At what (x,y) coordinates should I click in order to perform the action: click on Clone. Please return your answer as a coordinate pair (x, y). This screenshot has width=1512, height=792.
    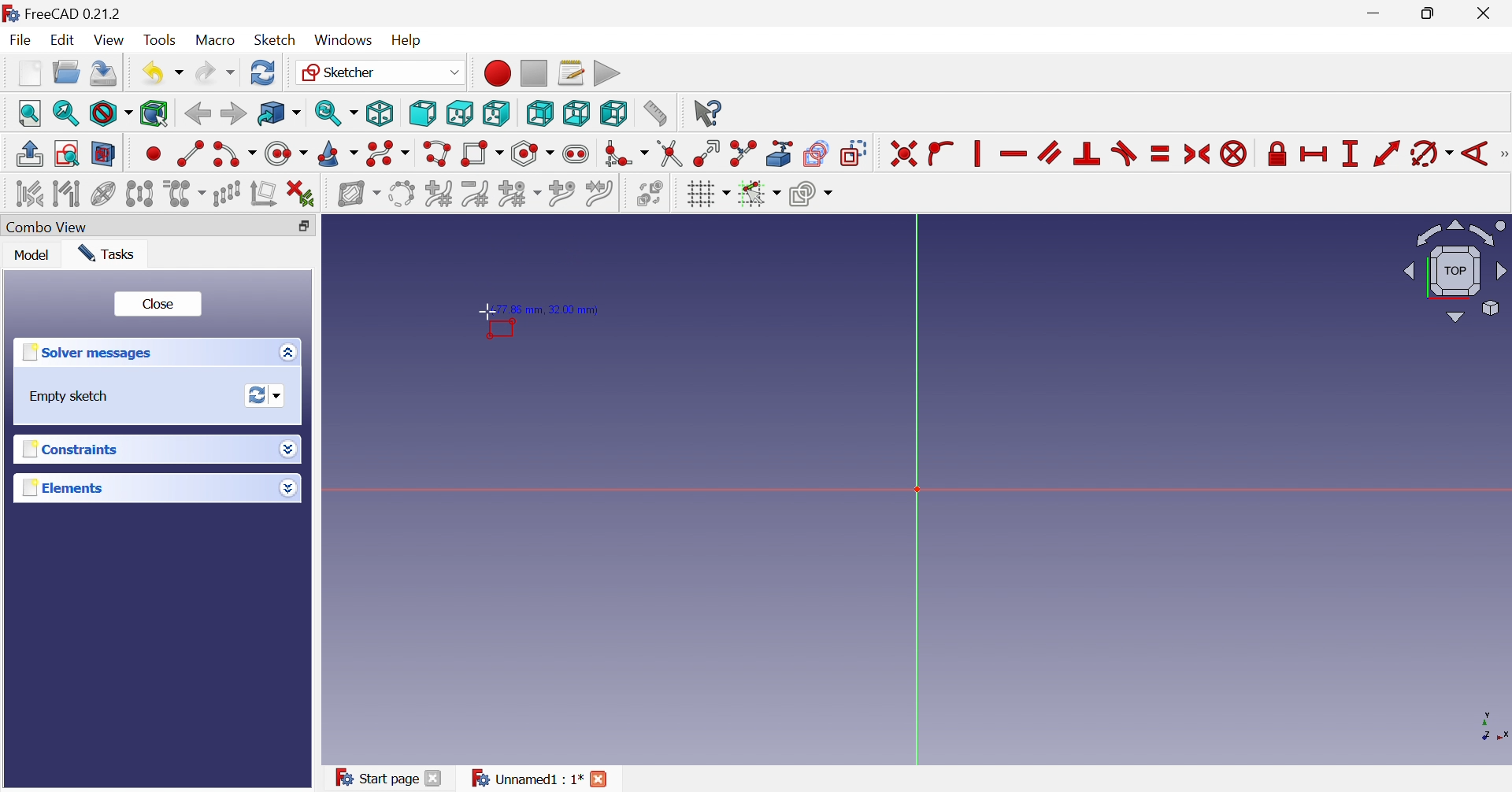
    Looking at the image, I should click on (184, 194).